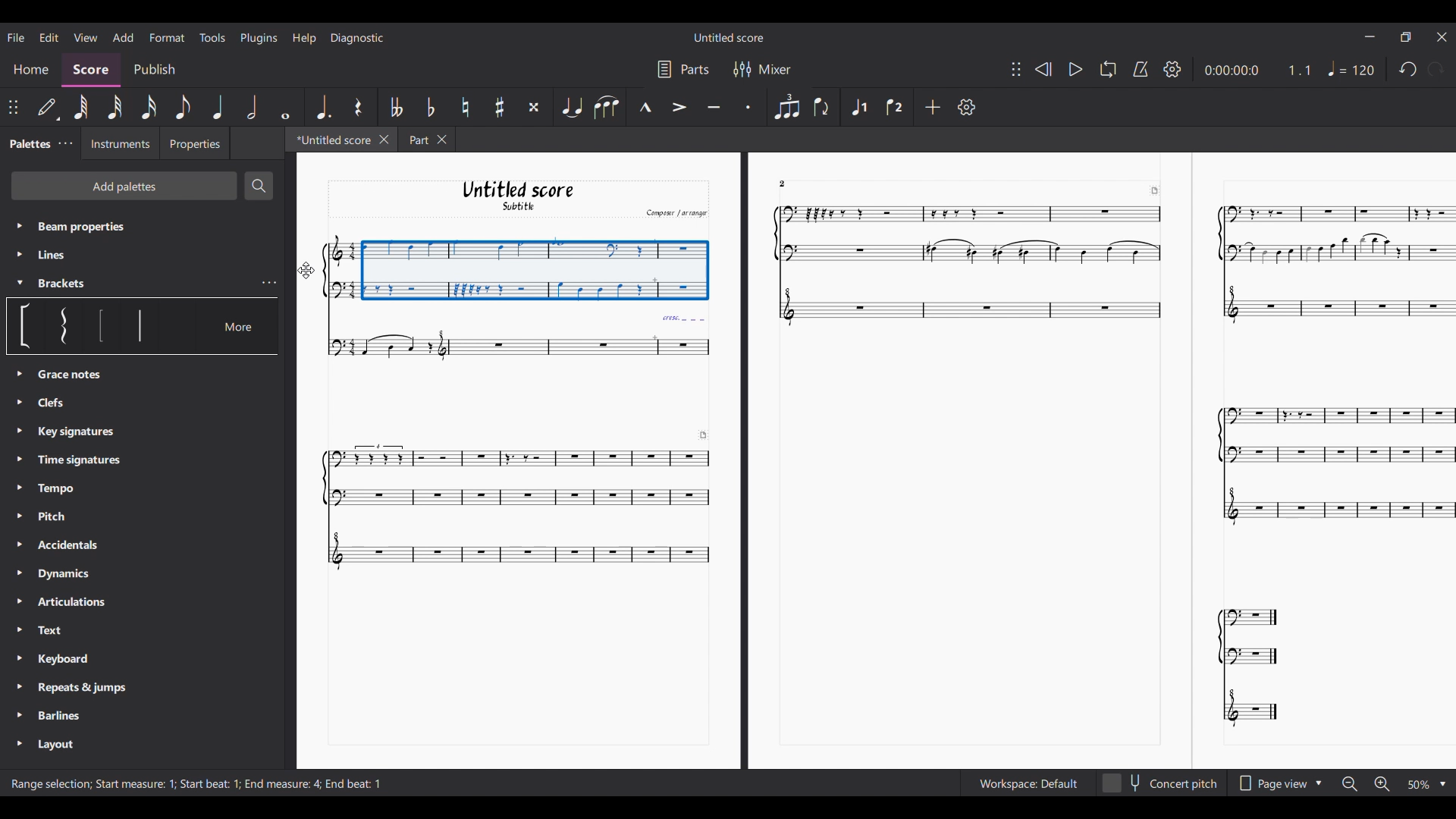 The height and width of the screenshot is (819, 1456). Describe the element at coordinates (1442, 785) in the screenshot. I see `Drop down` at that location.